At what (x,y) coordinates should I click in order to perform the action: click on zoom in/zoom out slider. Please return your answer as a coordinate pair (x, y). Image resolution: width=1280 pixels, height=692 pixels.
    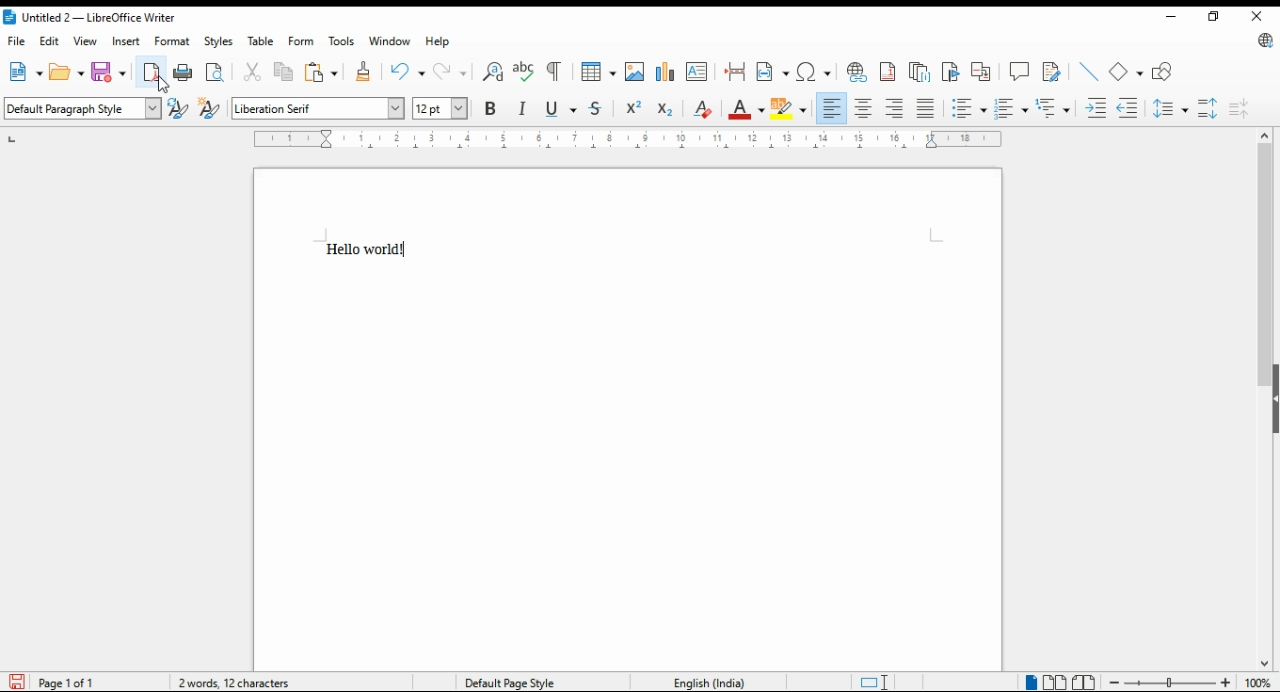
    Looking at the image, I should click on (1168, 683).